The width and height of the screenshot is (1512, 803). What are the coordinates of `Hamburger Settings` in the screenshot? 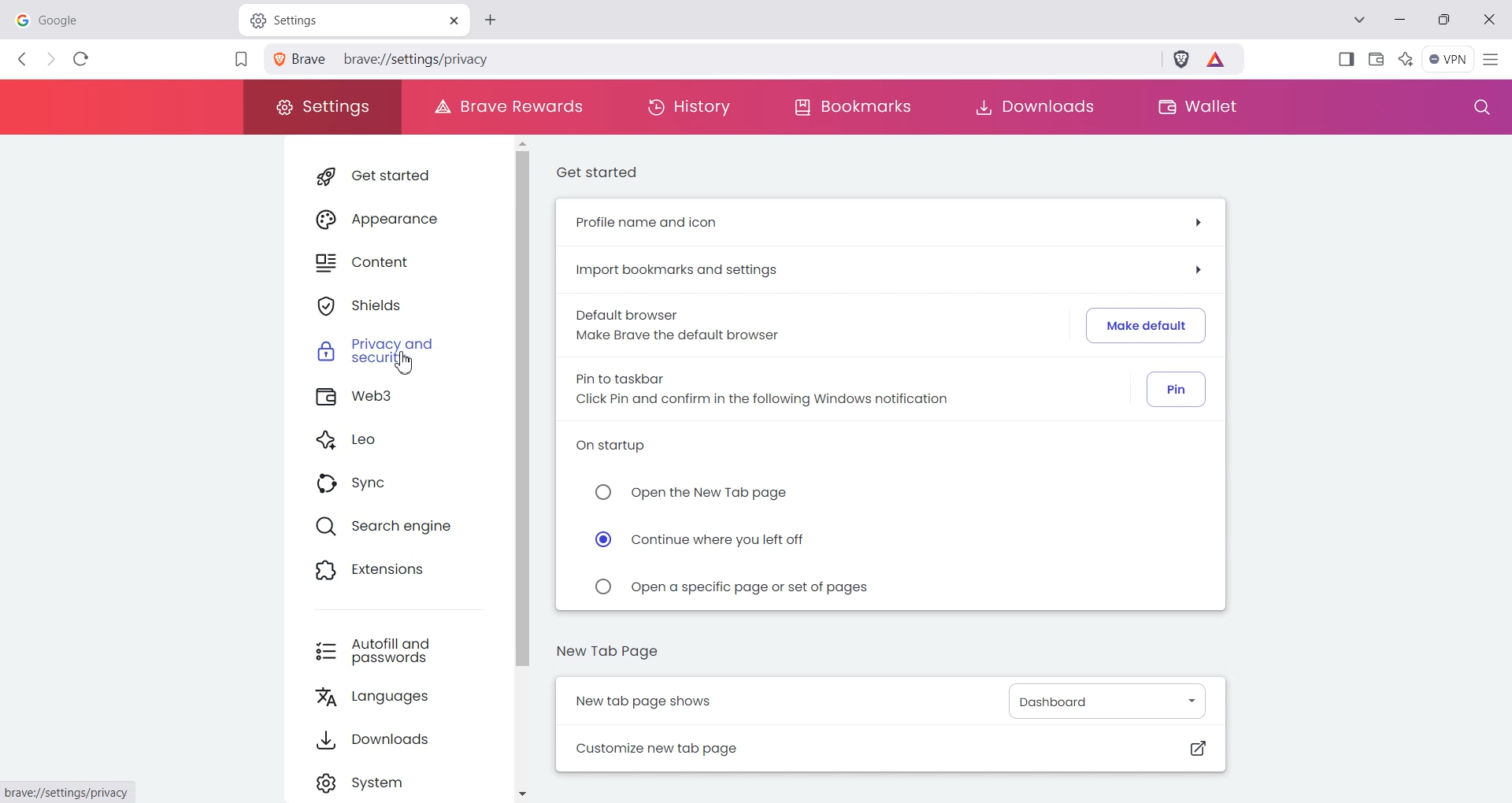 It's located at (1494, 58).